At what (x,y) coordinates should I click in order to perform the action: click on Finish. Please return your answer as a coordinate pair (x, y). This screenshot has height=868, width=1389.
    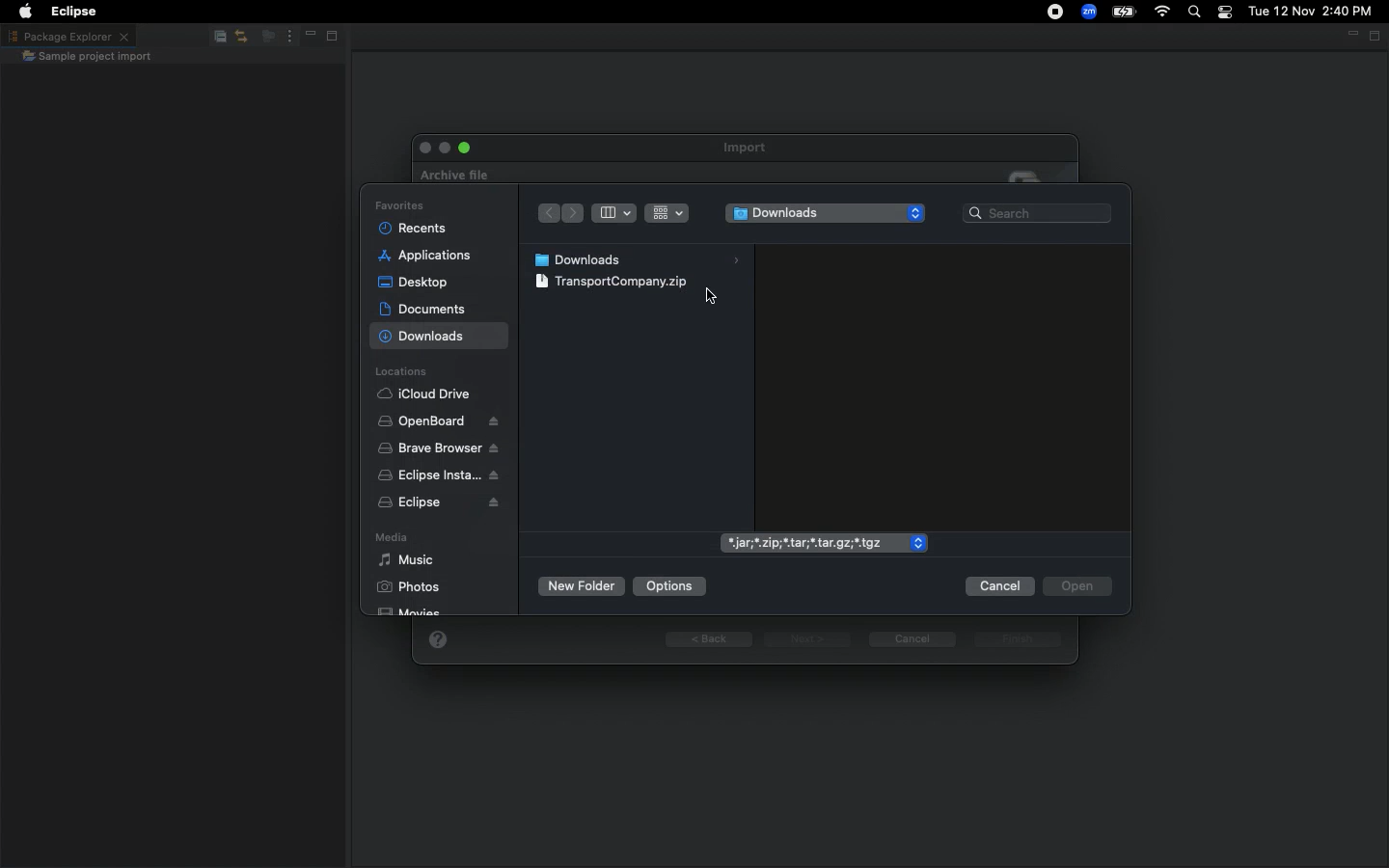
    Looking at the image, I should click on (1016, 641).